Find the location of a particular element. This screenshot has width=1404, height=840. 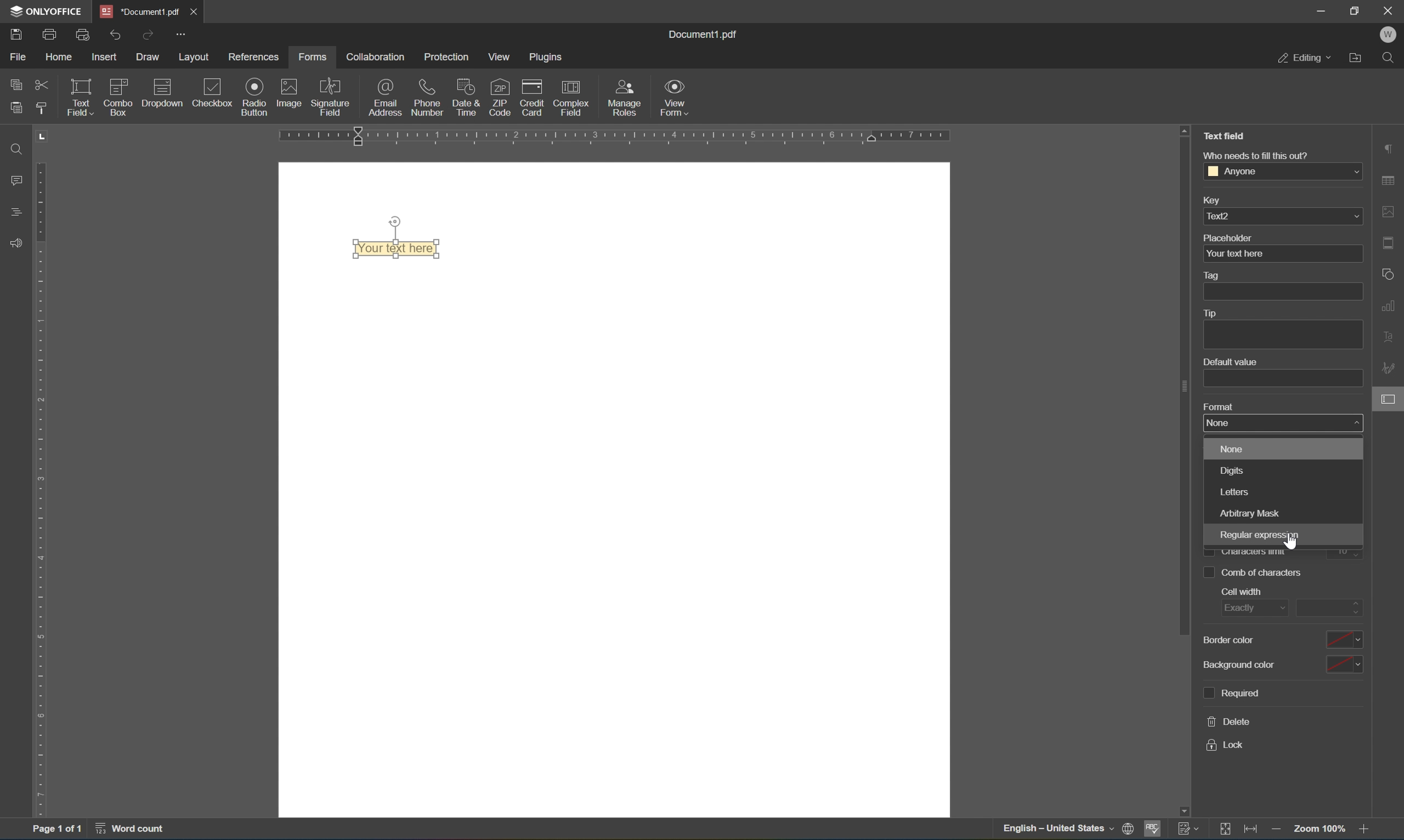

Cursor is located at coordinates (1291, 543).